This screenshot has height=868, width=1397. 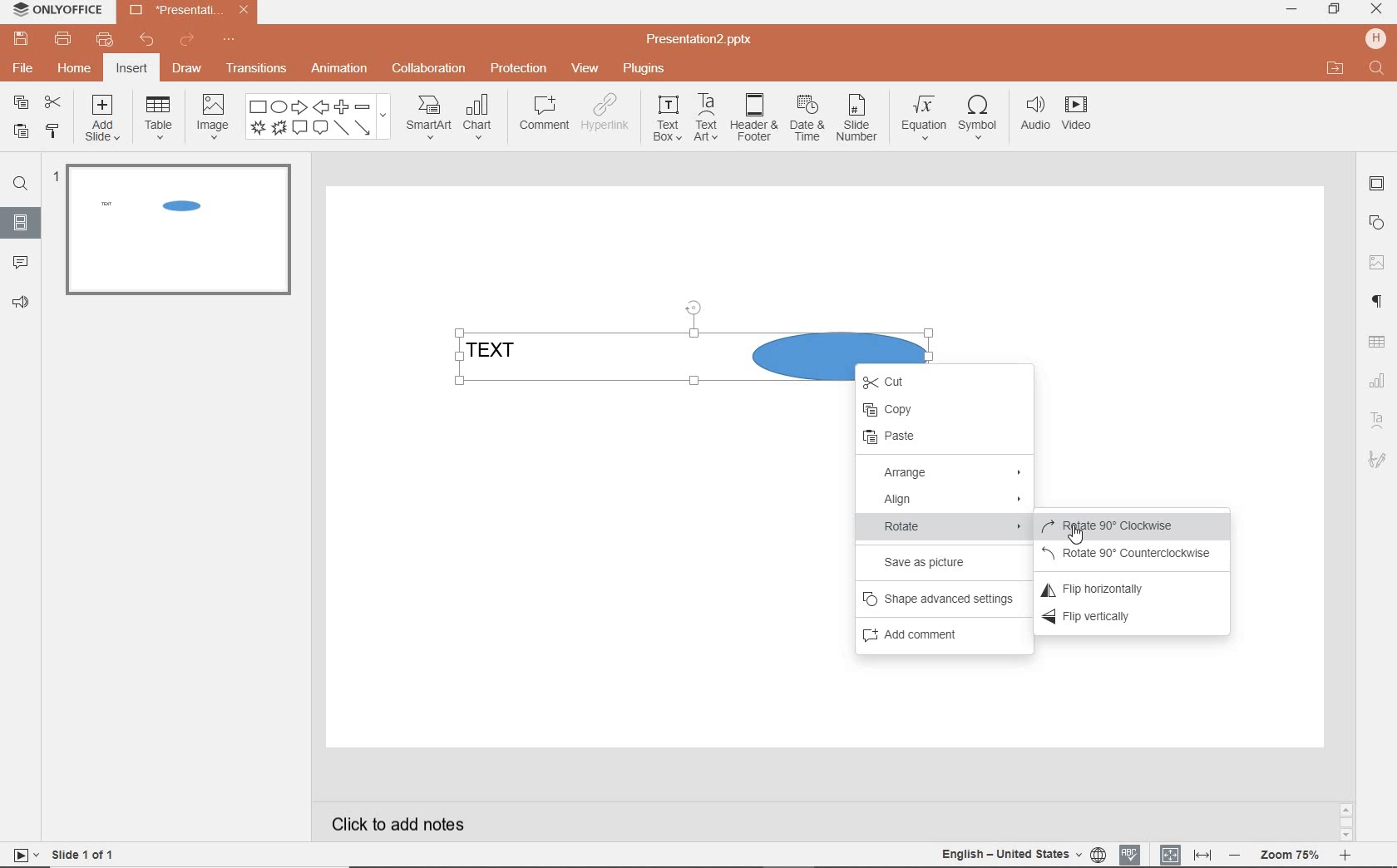 What do you see at coordinates (210, 116) in the screenshot?
I see `image` at bounding box center [210, 116].